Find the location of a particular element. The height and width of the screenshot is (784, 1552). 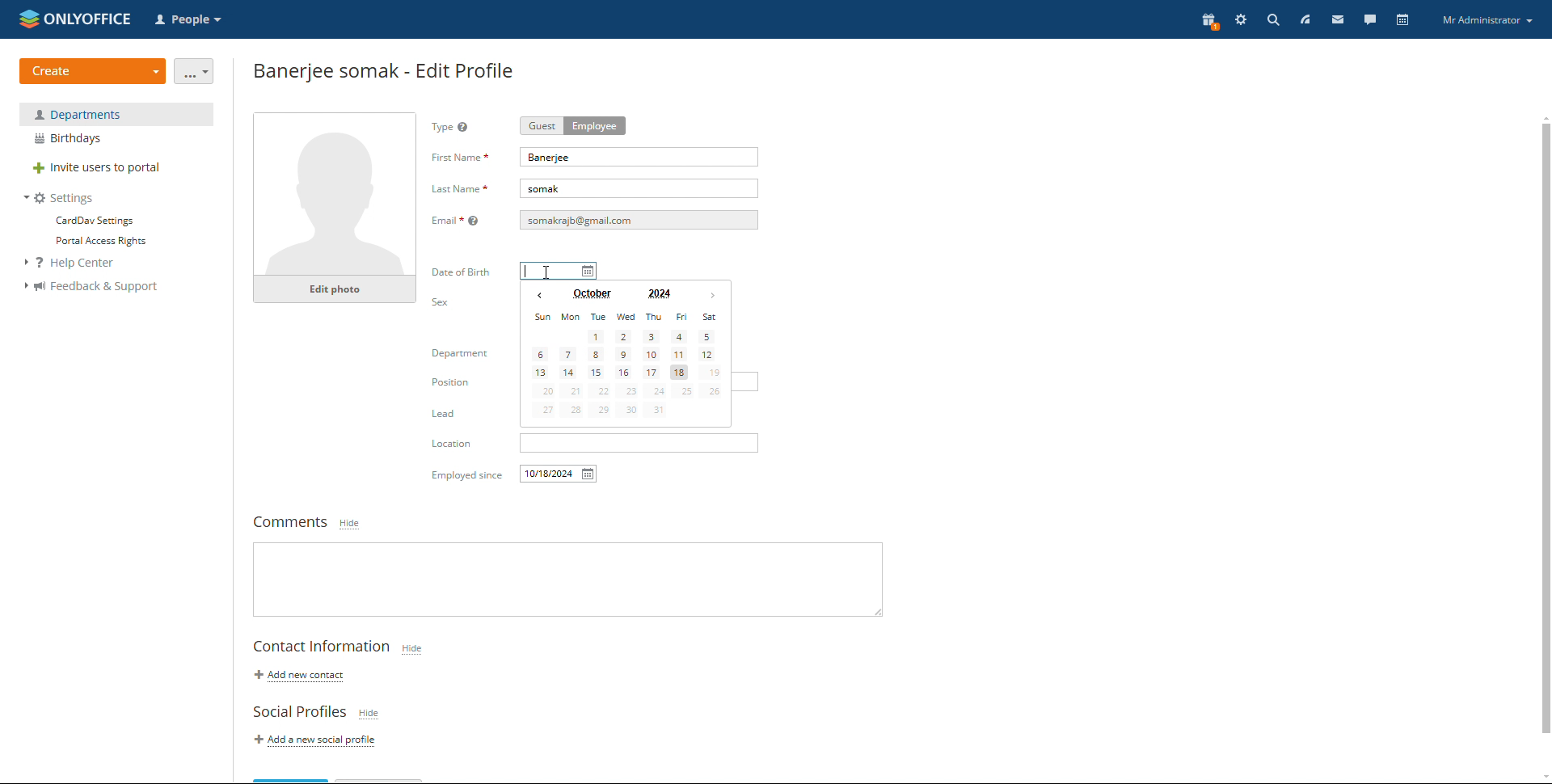

add a new social profile is located at coordinates (318, 741).